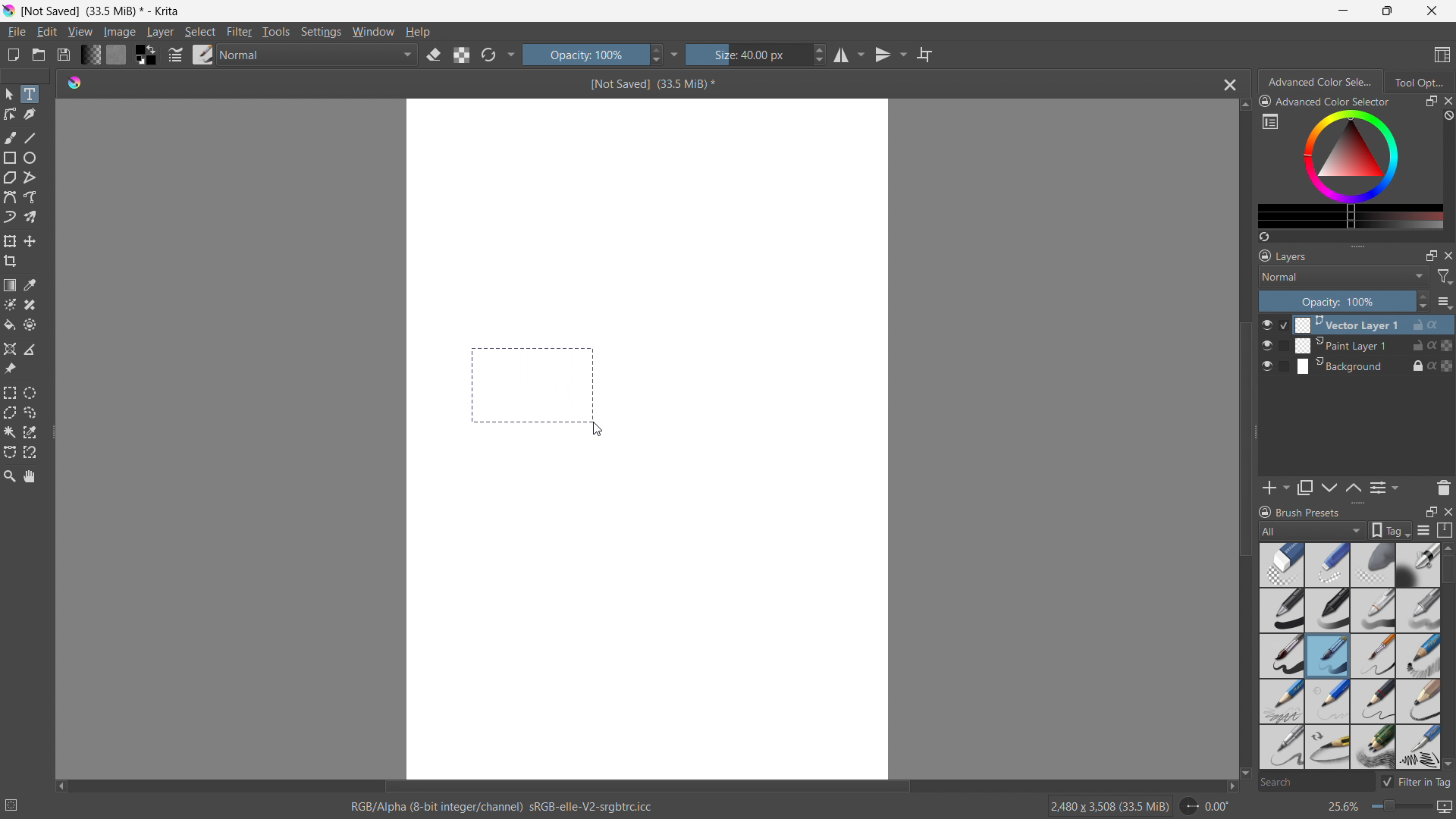 The height and width of the screenshot is (819, 1456). What do you see at coordinates (1374, 748) in the screenshot?
I see `multi pencil ` at bounding box center [1374, 748].